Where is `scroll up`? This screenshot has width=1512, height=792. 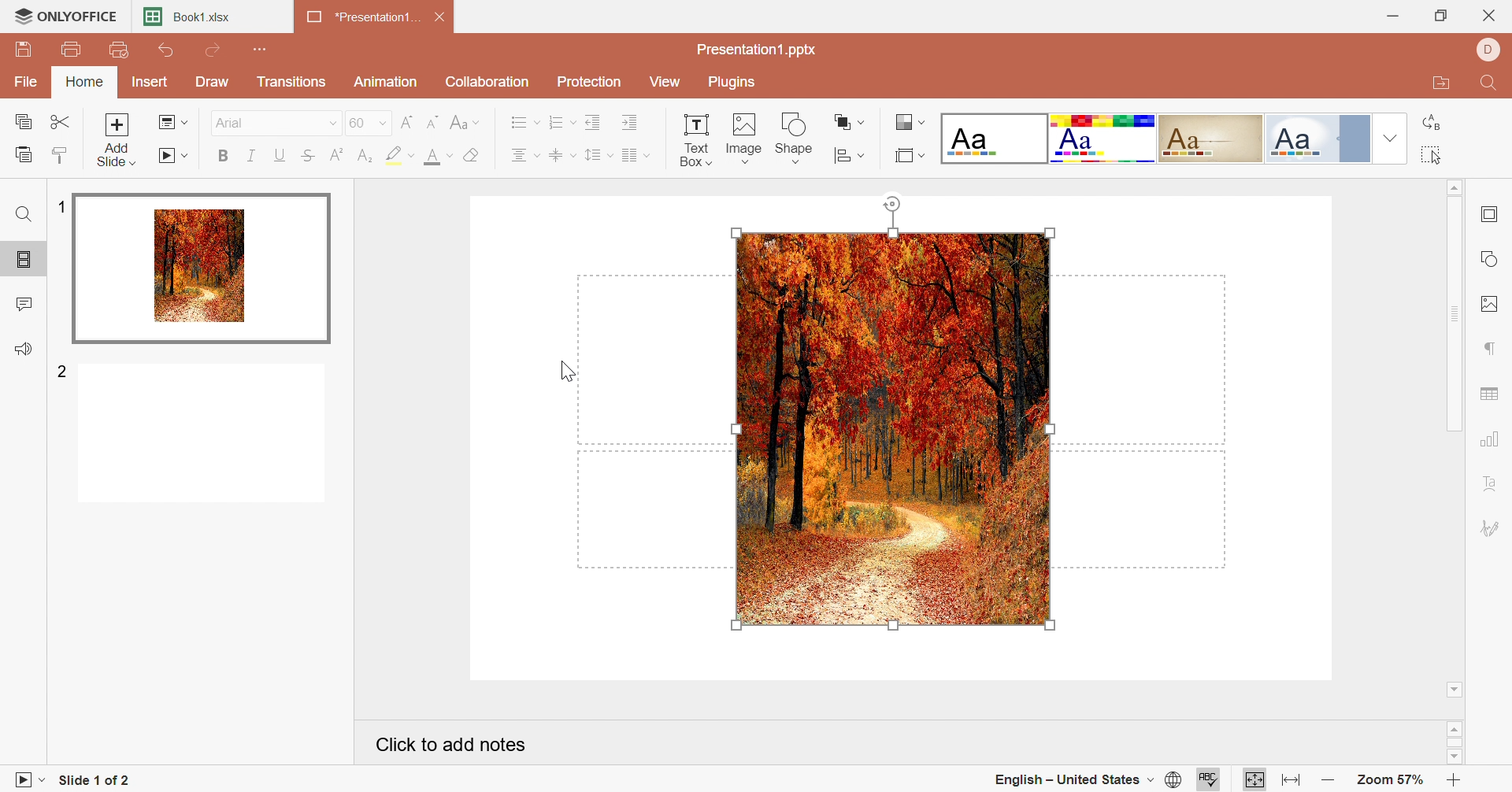
scroll up is located at coordinates (1455, 727).